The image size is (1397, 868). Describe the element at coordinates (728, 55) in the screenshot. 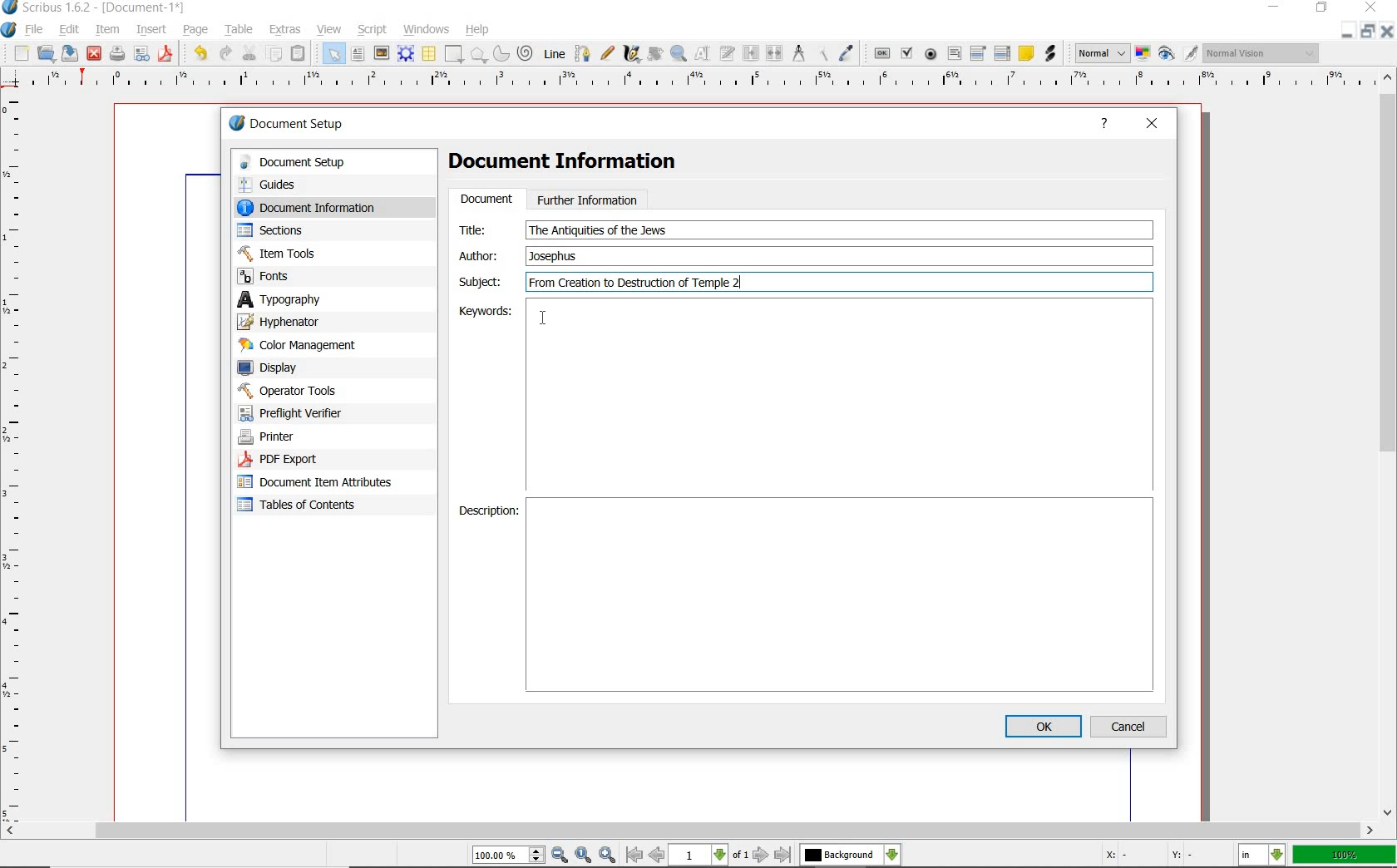

I see `edit text with story editor` at that location.